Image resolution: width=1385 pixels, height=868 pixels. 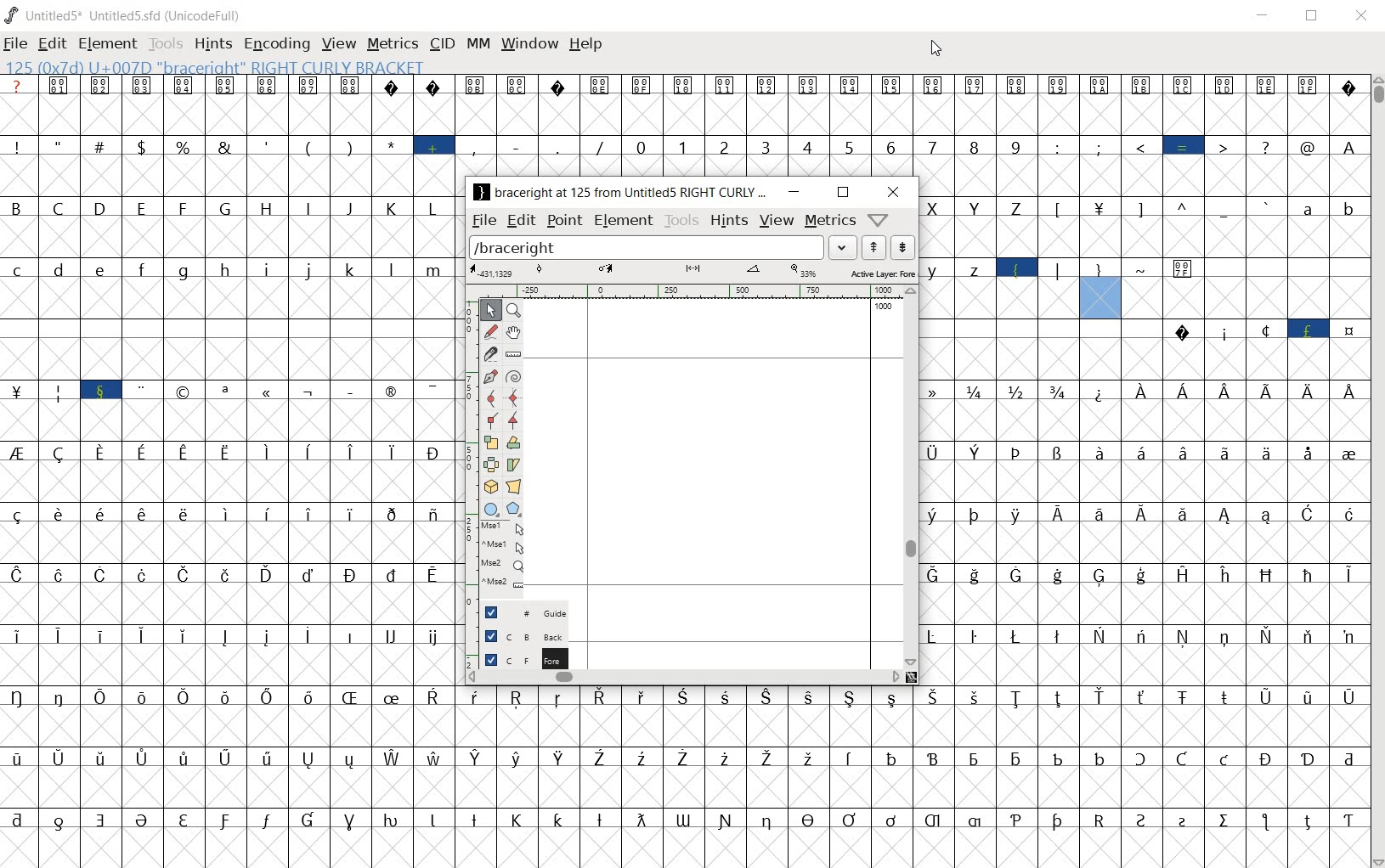 I want to click on element, so click(x=623, y=222).